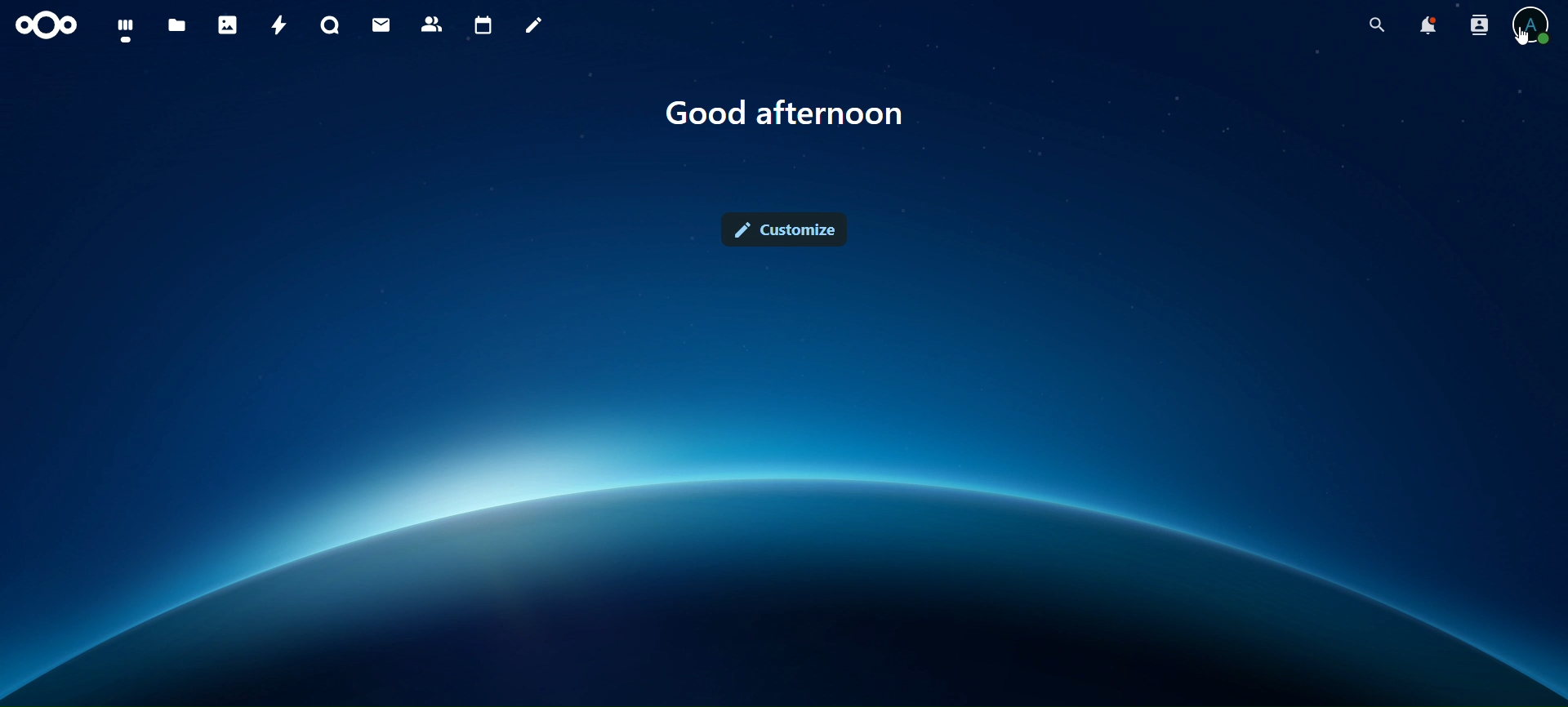 This screenshot has height=707, width=1568. I want to click on notification, so click(1427, 26).